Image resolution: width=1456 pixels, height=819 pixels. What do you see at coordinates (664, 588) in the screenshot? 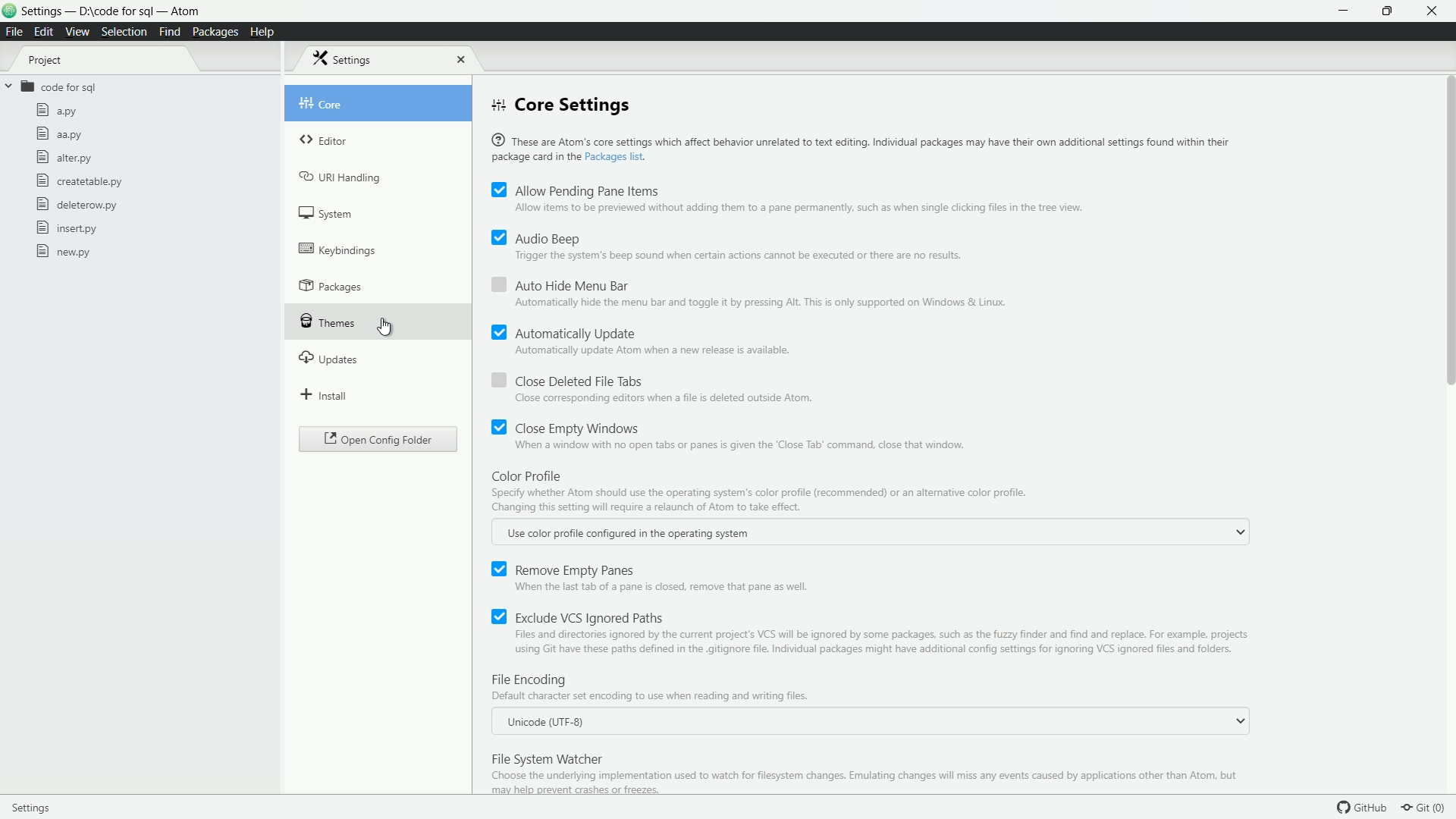
I see `when the last tab of a pane is closed, remove that pane as well` at bounding box center [664, 588].